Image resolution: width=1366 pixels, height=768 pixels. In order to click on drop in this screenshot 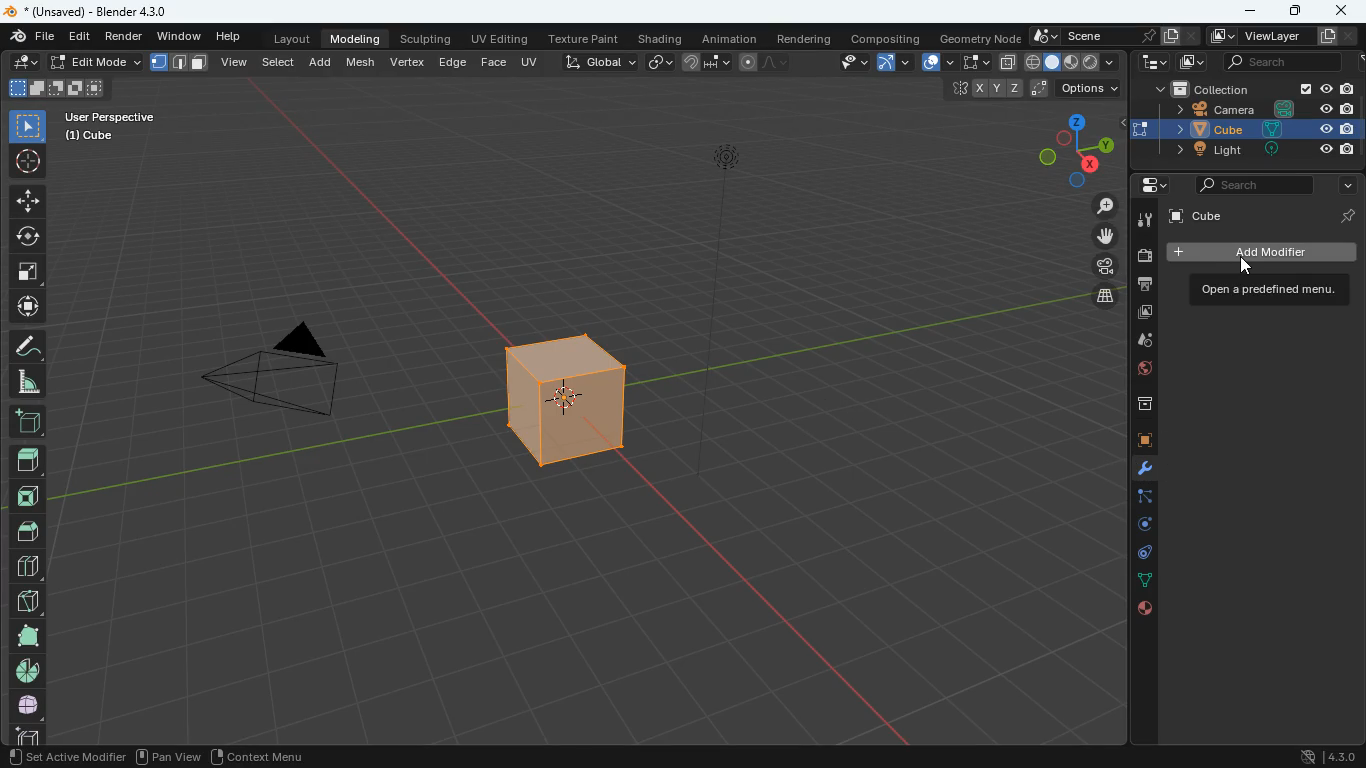, I will do `click(1136, 342)`.